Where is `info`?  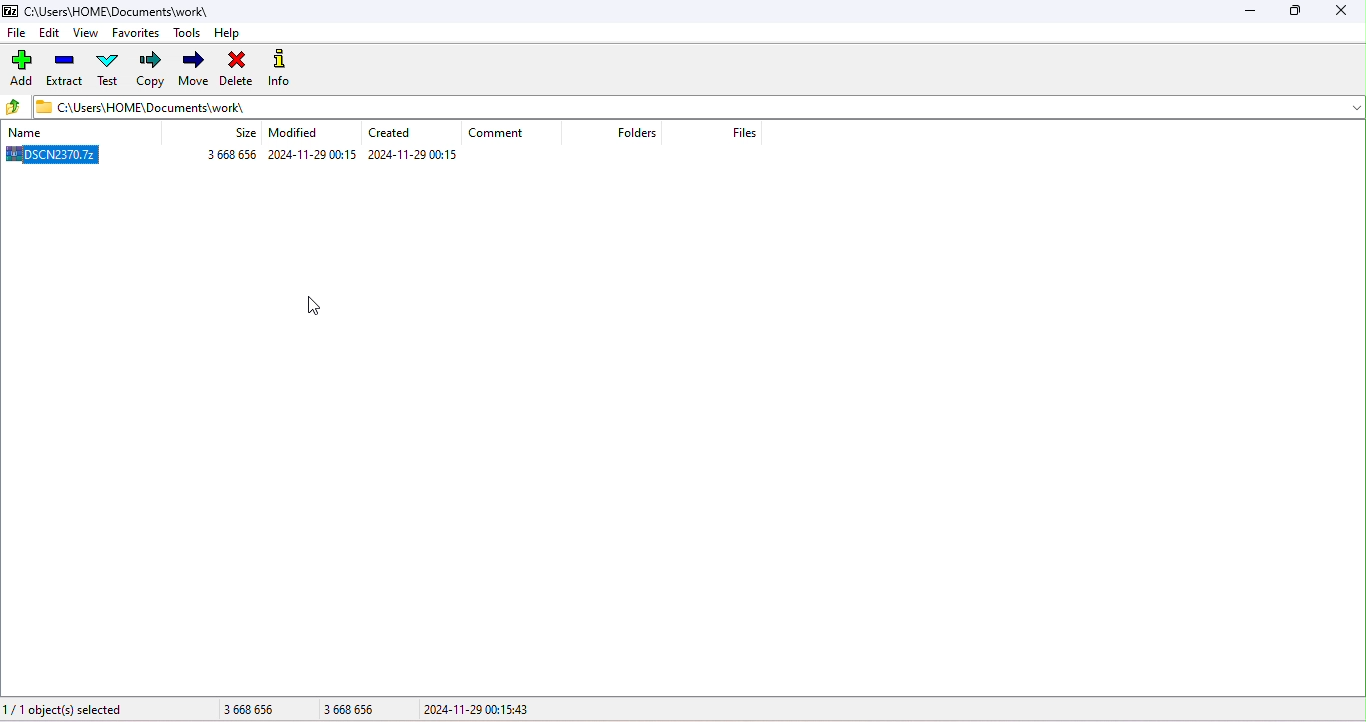 info is located at coordinates (283, 67).